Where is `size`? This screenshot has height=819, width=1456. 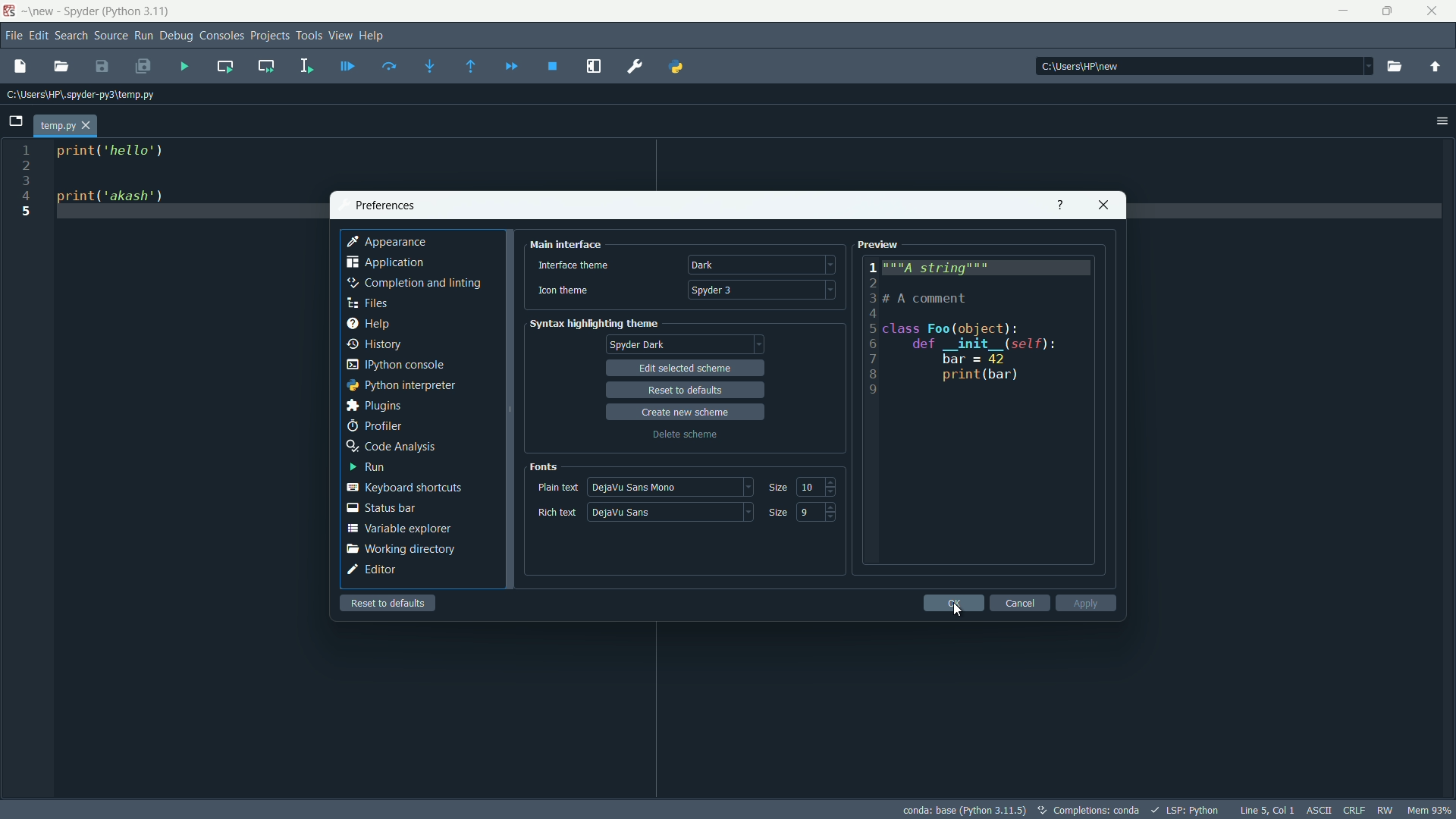 size is located at coordinates (778, 512).